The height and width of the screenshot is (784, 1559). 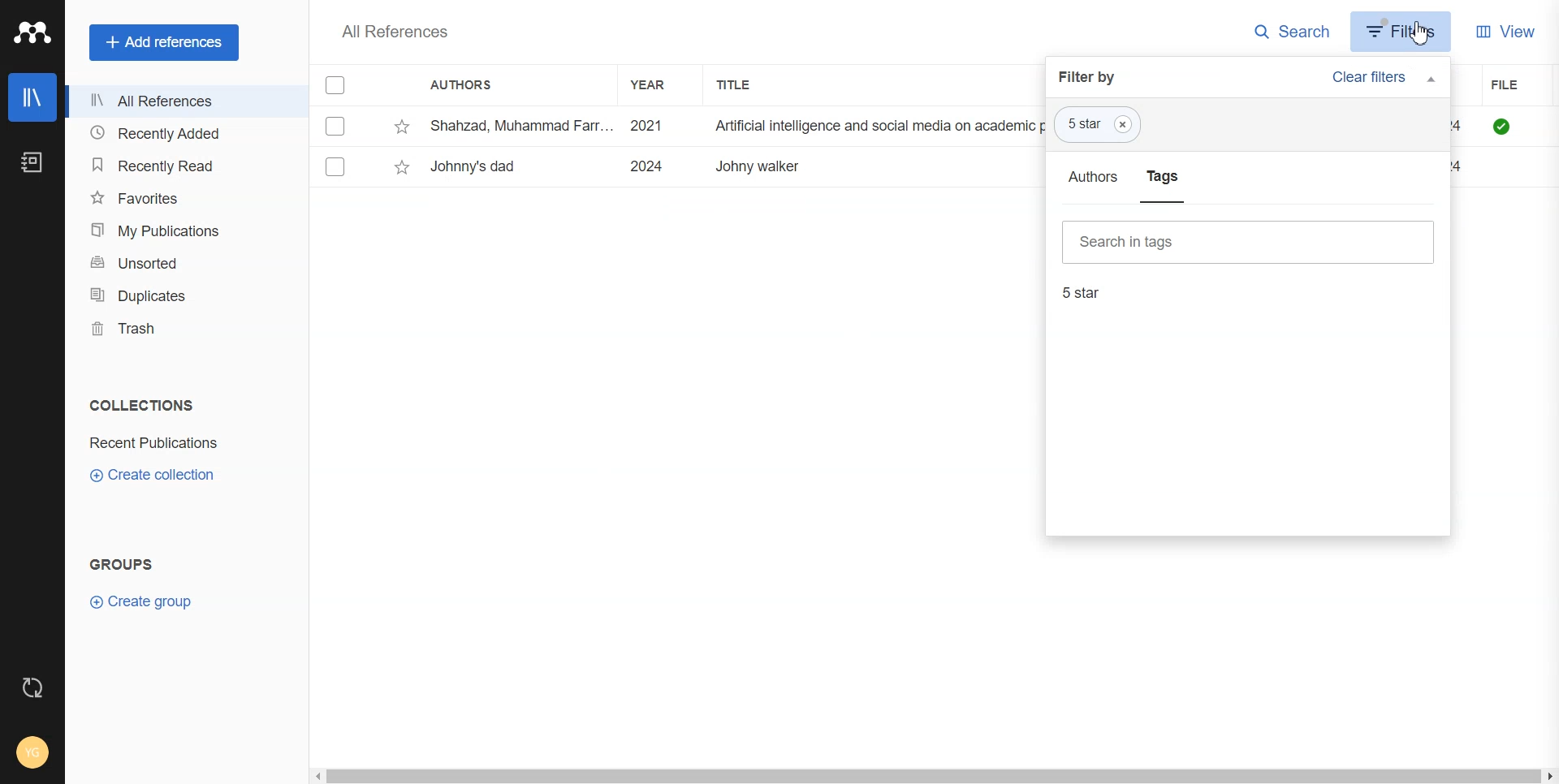 What do you see at coordinates (469, 86) in the screenshot?
I see `Authors` at bounding box center [469, 86].